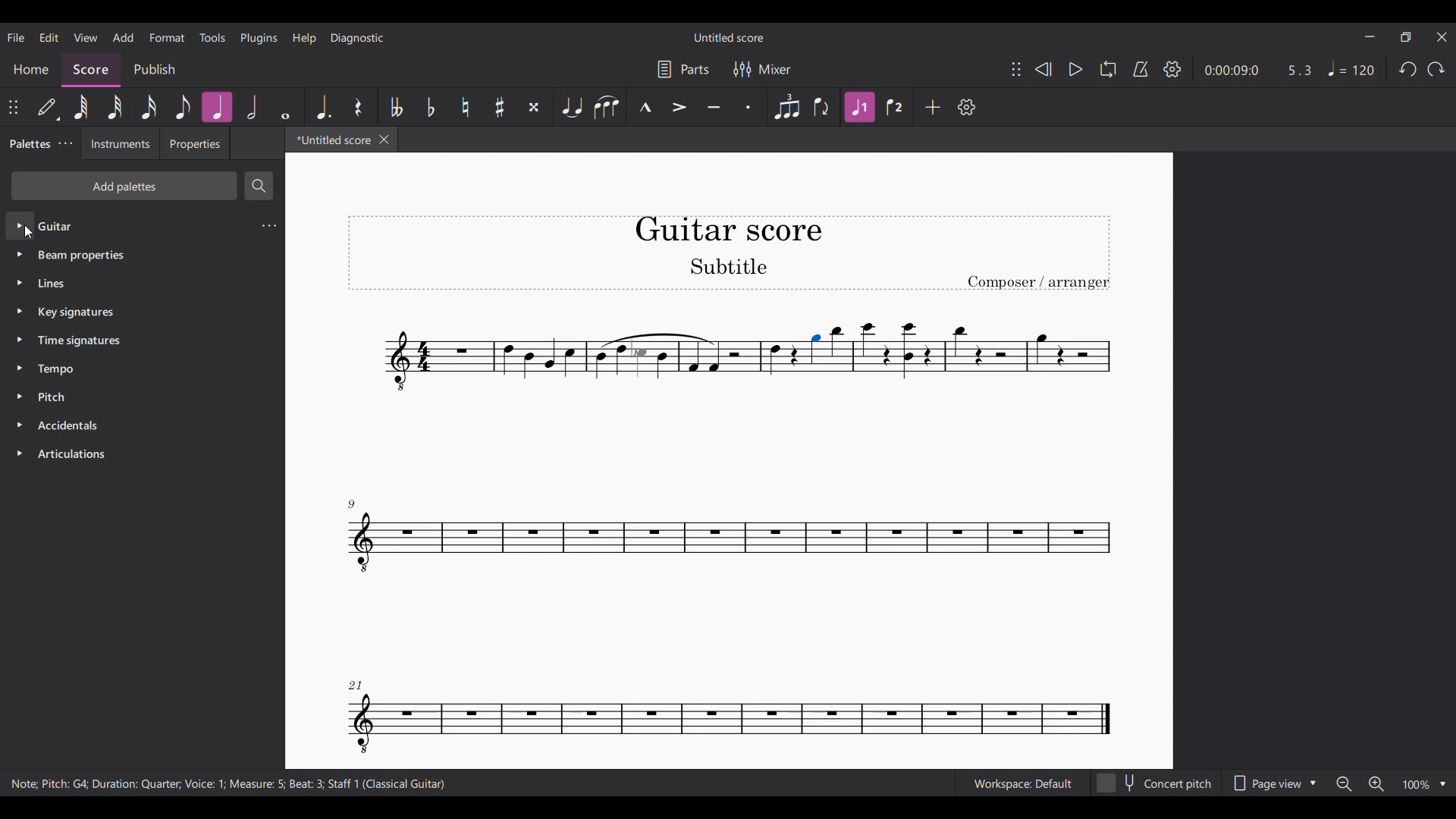  Describe the element at coordinates (1141, 69) in the screenshot. I see `Metronome` at that location.